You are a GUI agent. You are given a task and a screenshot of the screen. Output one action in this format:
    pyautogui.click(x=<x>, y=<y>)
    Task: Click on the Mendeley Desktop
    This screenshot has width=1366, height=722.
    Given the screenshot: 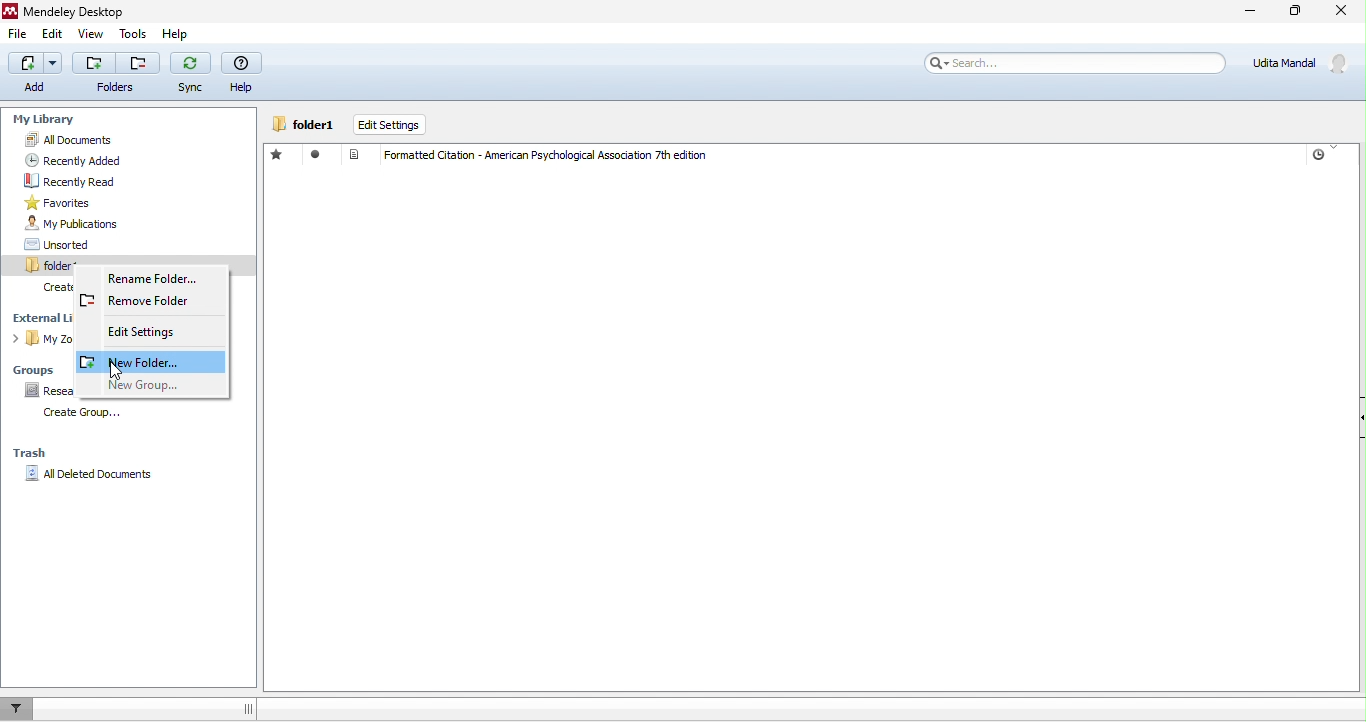 What is the action you would take?
    pyautogui.click(x=74, y=12)
    